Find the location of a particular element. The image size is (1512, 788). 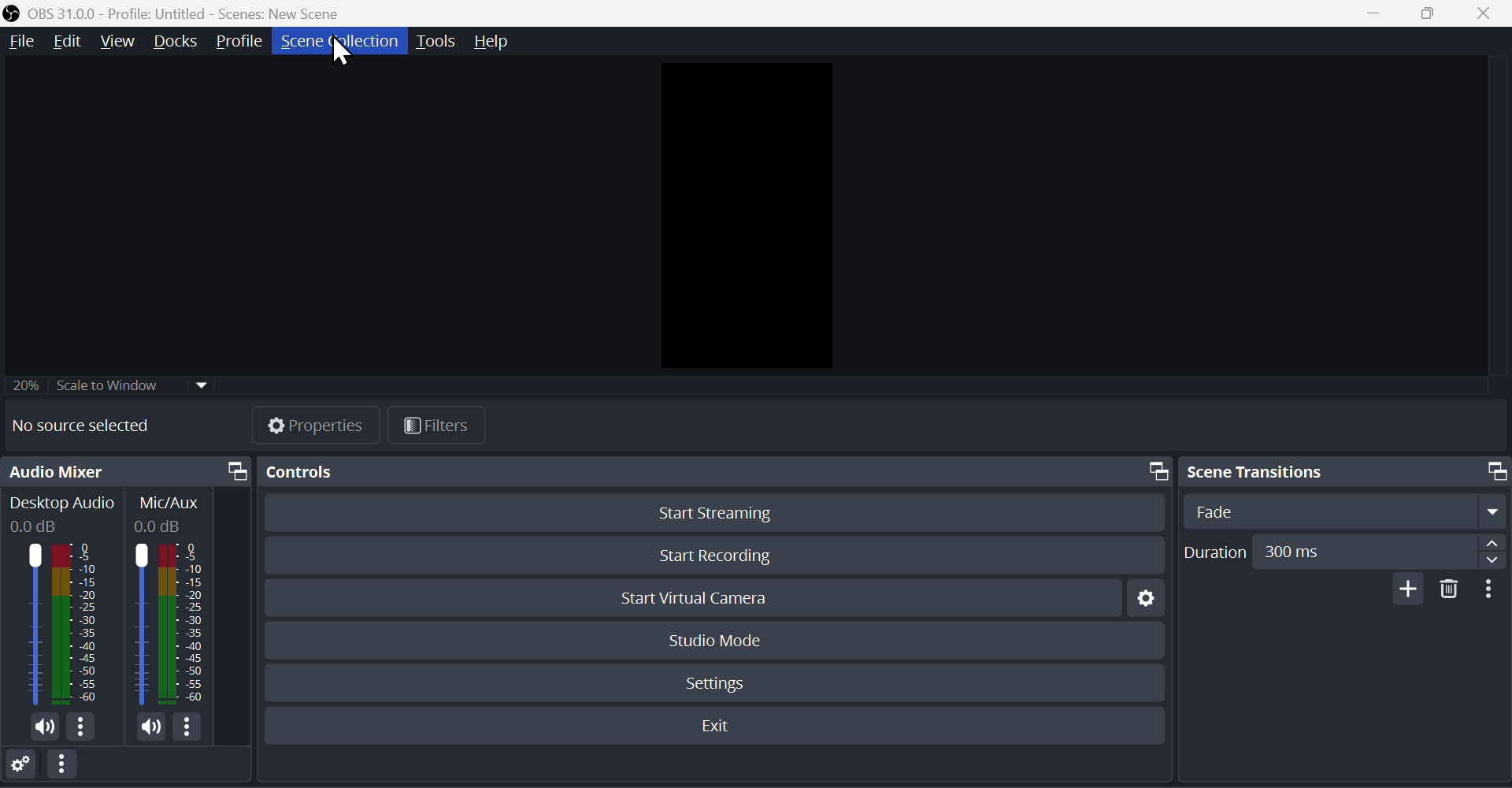

Studio mode is located at coordinates (716, 638).